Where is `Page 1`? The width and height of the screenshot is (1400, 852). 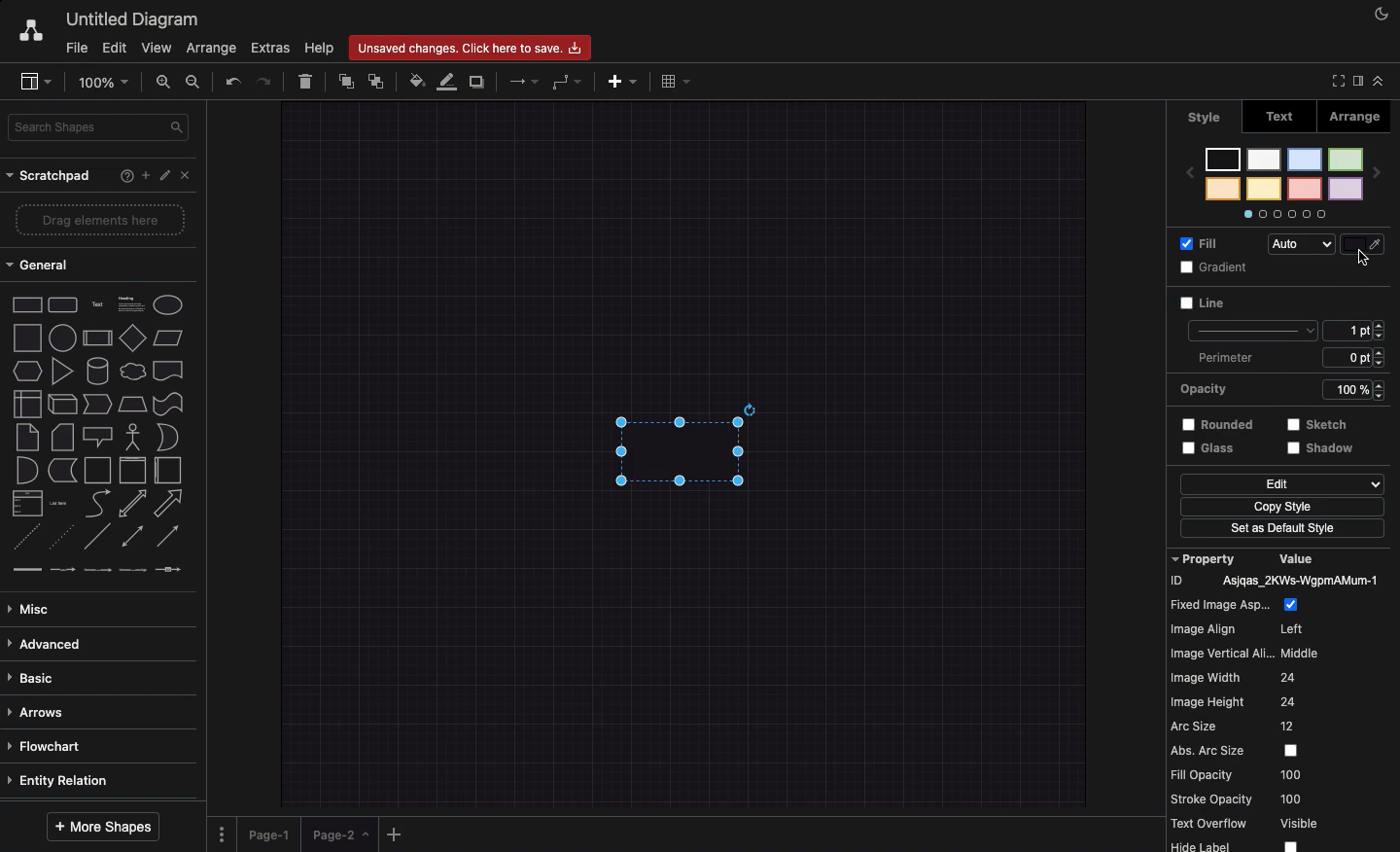 Page 1 is located at coordinates (272, 831).